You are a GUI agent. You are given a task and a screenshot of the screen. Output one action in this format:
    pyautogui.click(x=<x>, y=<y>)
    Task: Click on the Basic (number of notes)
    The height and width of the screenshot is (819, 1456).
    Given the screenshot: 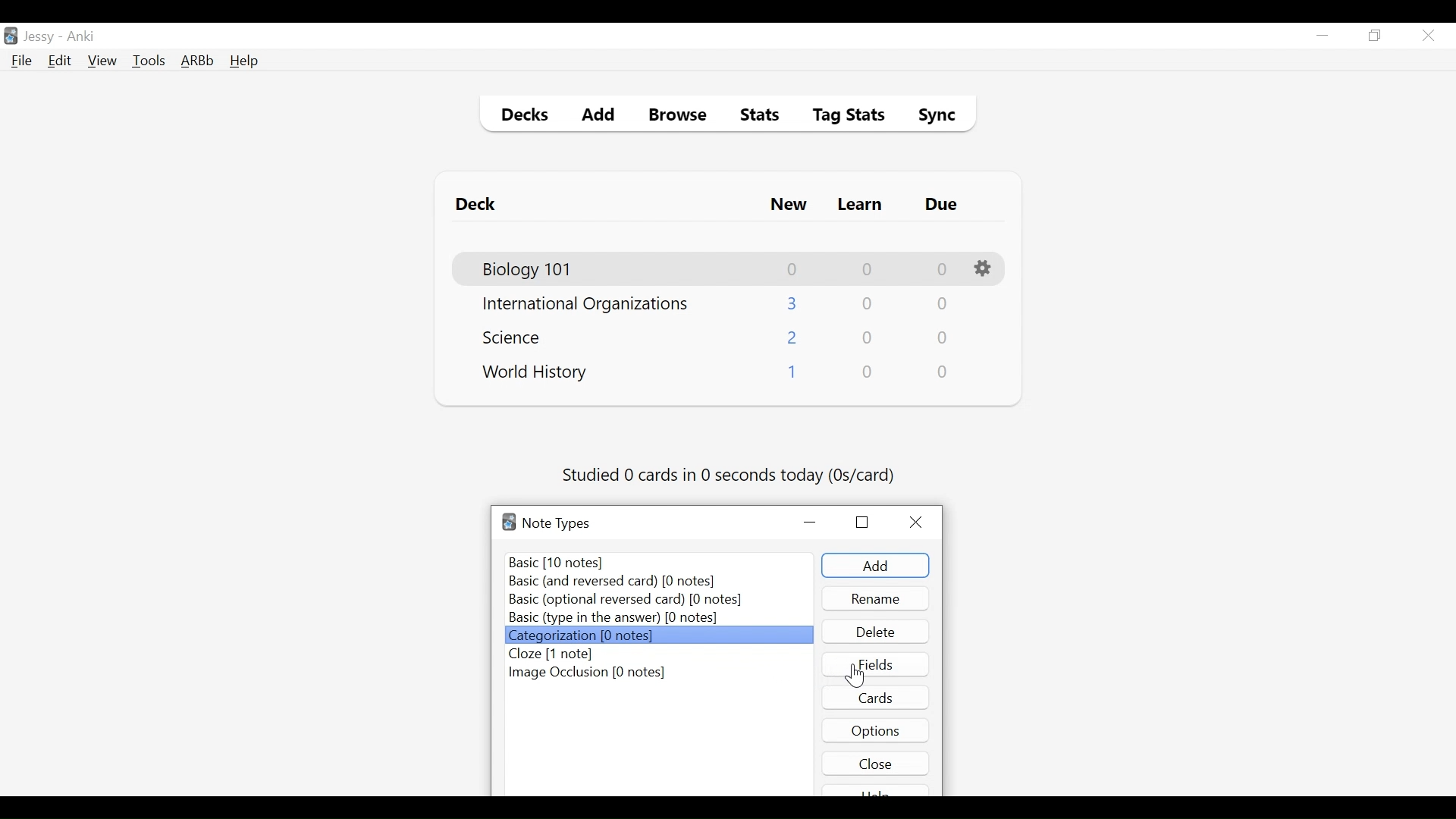 What is the action you would take?
    pyautogui.click(x=661, y=562)
    